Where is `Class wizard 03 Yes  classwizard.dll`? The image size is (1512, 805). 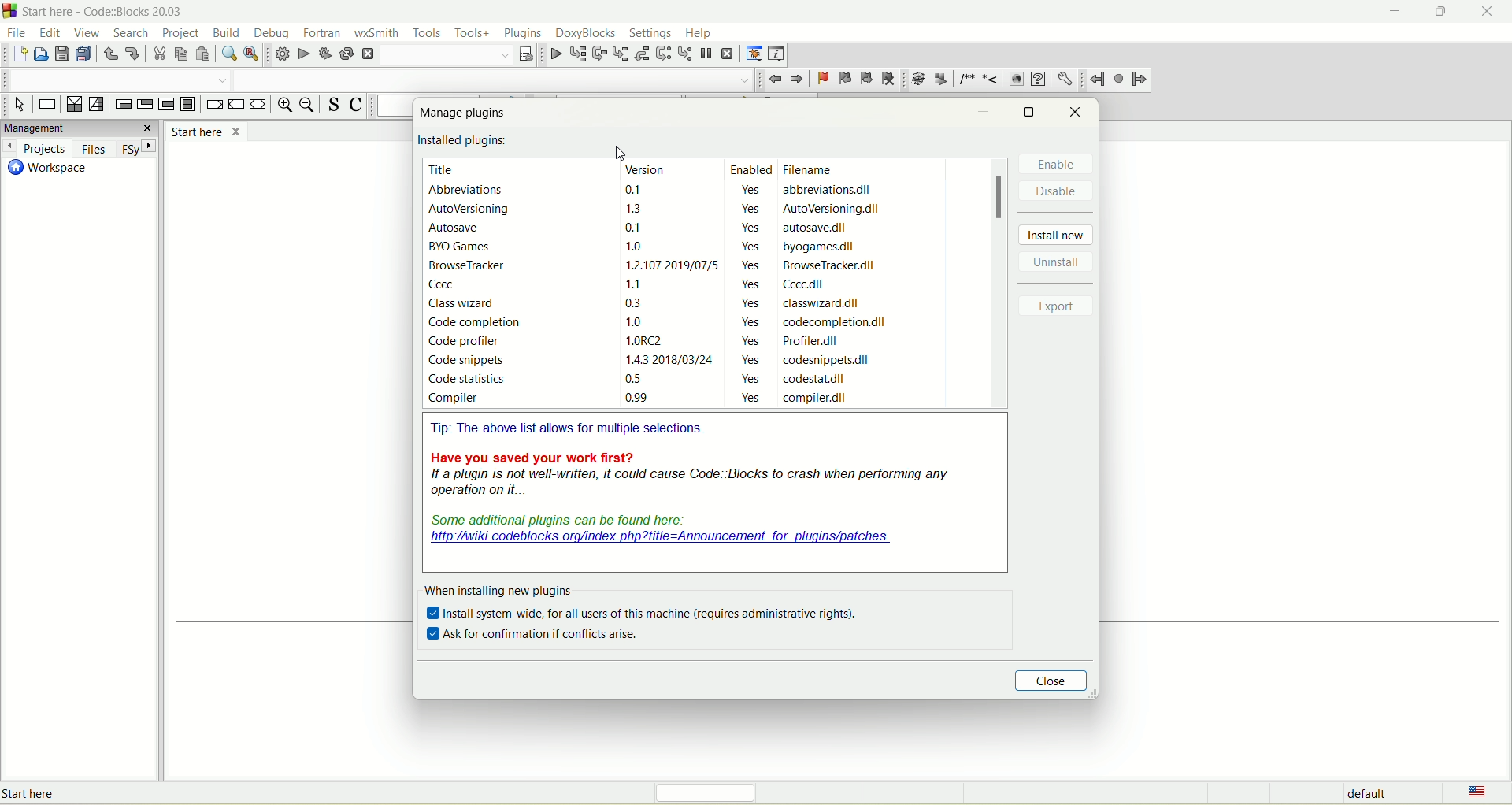 Class wizard 03 Yes  classwizard.dll is located at coordinates (657, 302).